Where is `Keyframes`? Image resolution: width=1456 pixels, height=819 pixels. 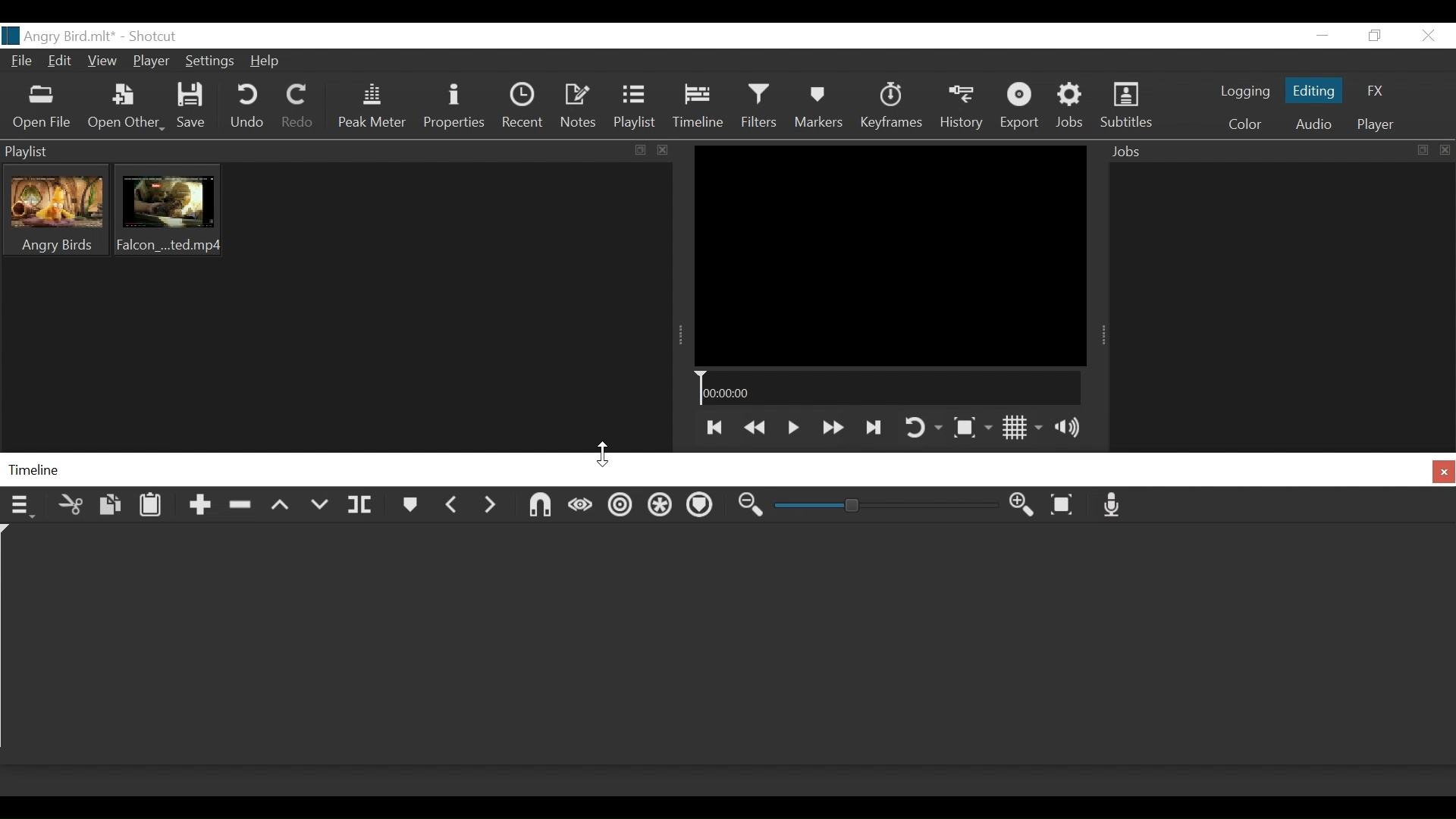
Keyframes is located at coordinates (890, 106).